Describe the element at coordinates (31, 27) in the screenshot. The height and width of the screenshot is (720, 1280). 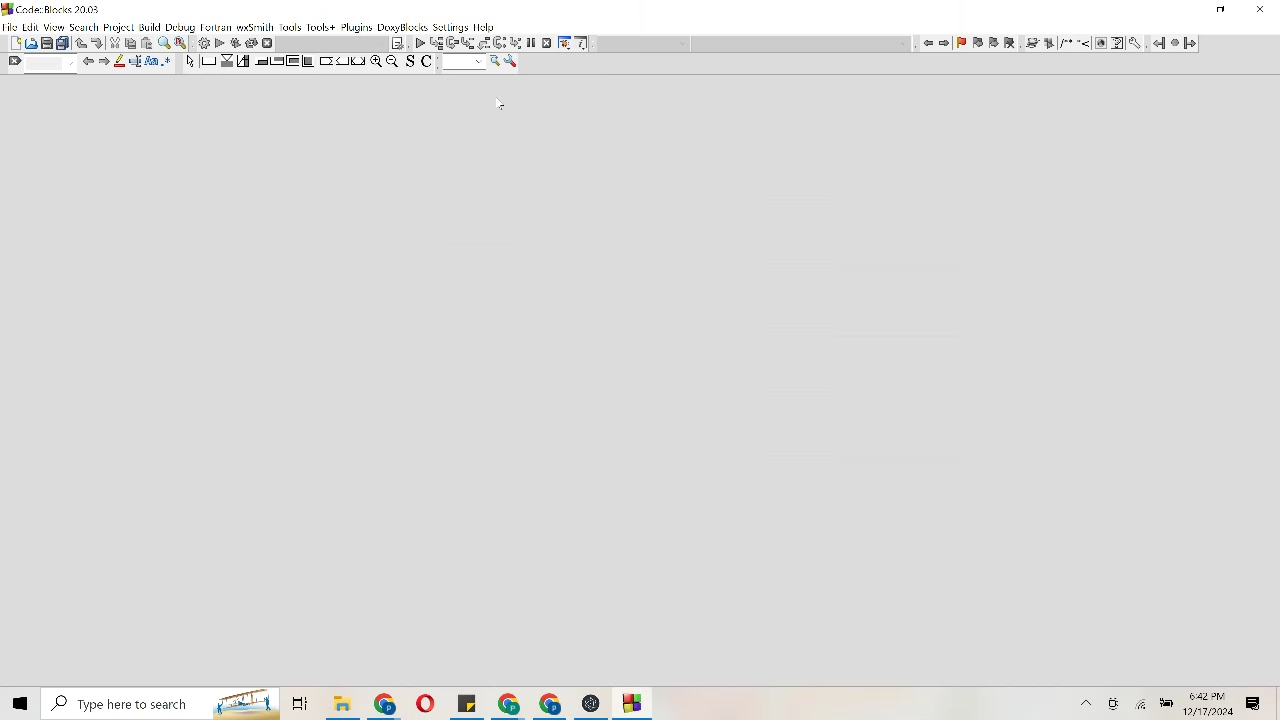
I see `Edit` at that location.